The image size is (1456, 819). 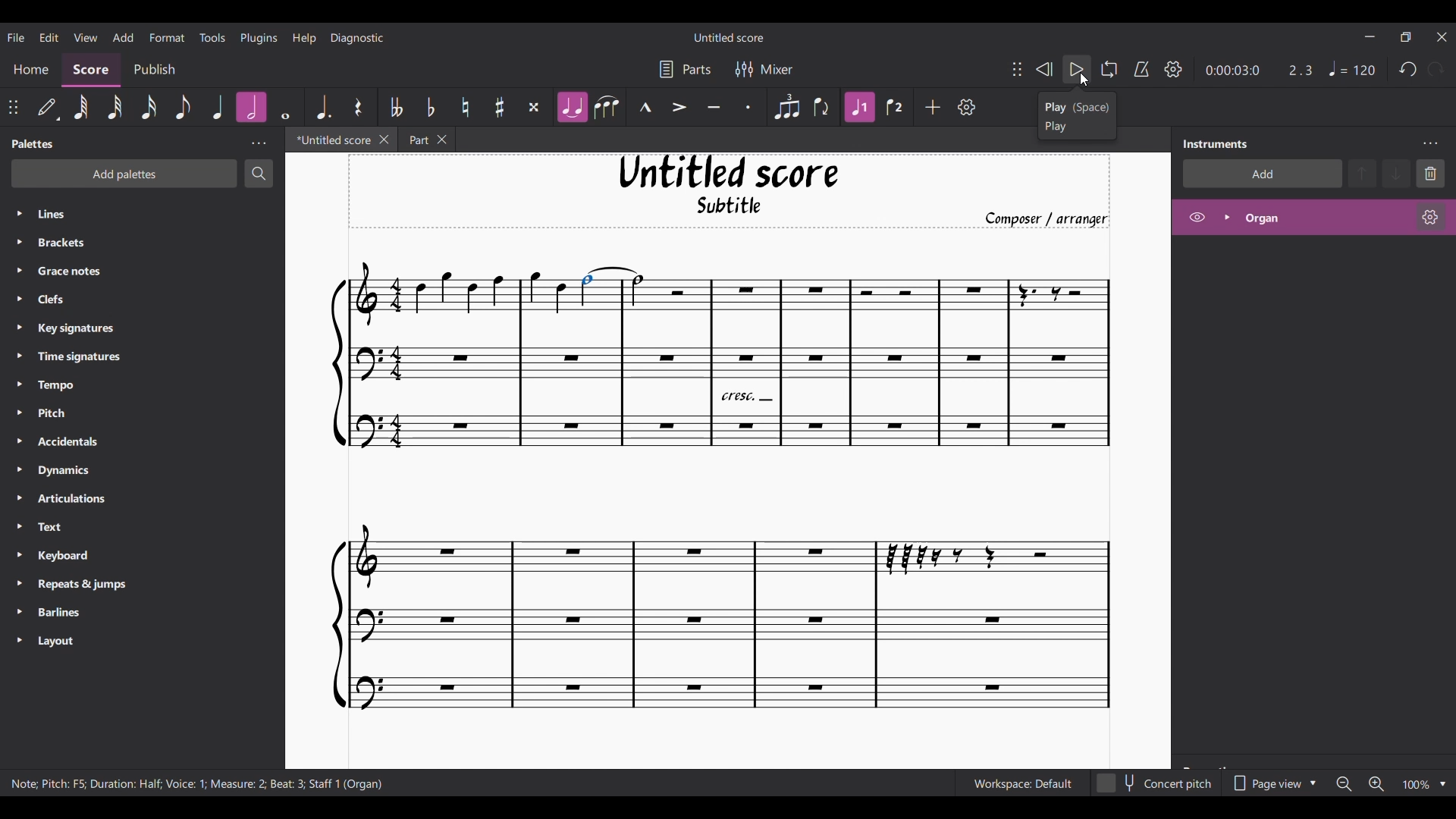 I want to click on 32nd note, so click(x=115, y=107).